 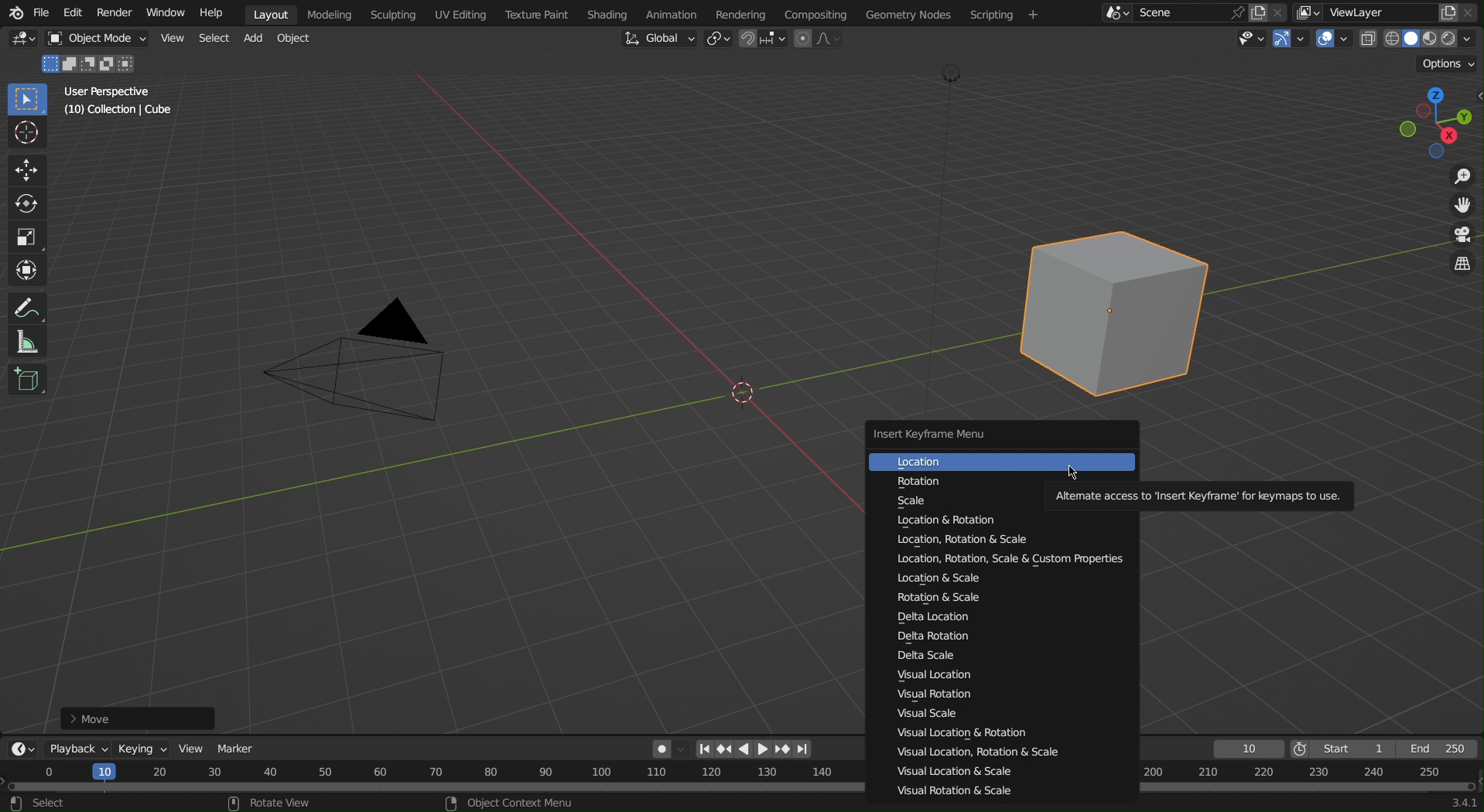 I want to click on cursor, so click(x=1072, y=472).